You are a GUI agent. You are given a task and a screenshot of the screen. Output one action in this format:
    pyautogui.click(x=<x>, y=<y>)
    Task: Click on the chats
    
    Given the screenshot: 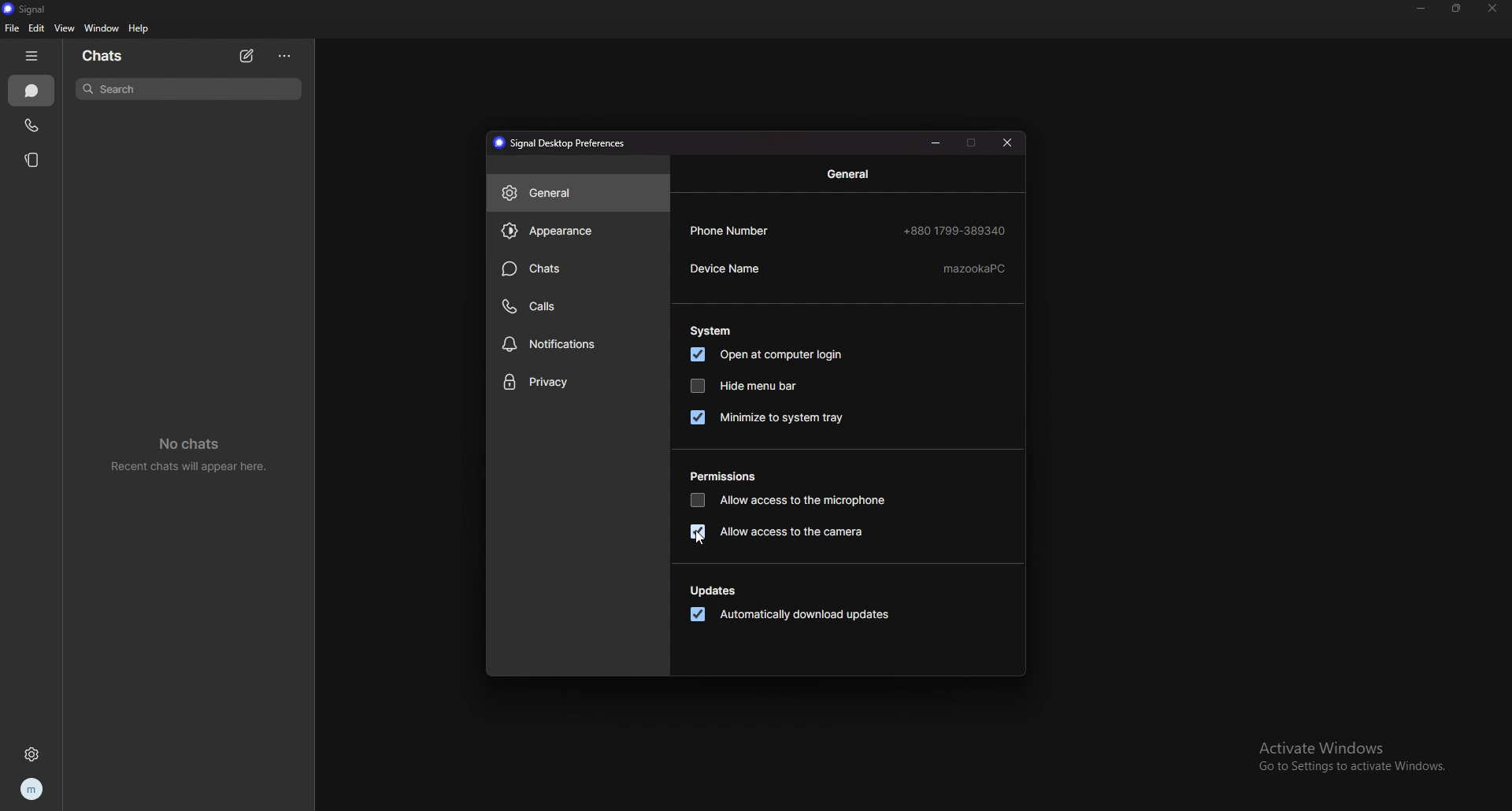 What is the action you would take?
    pyautogui.click(x=31, y=91)
    